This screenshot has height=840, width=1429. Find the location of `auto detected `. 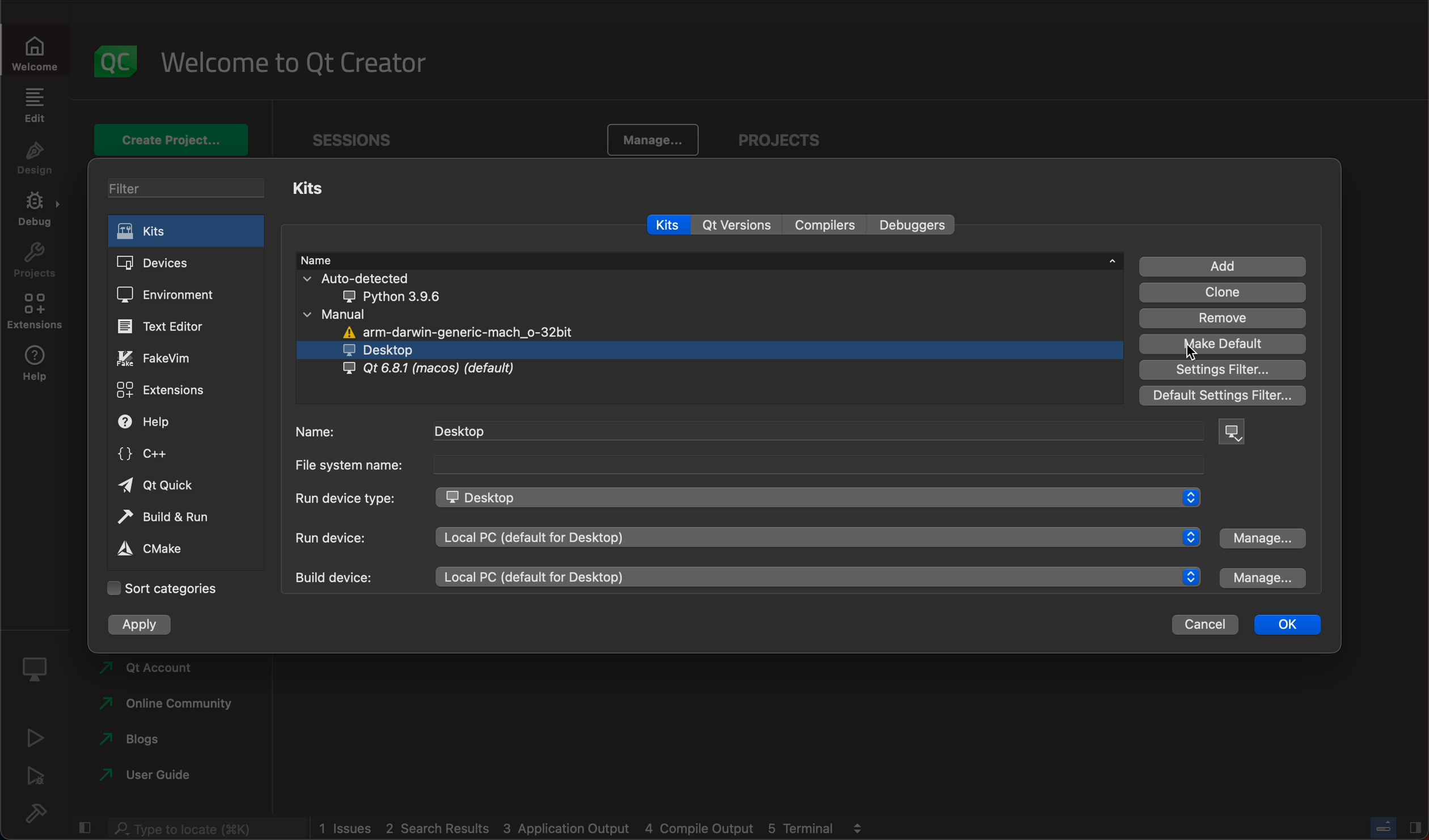

auto detected  is located at coordinates (400, 278).